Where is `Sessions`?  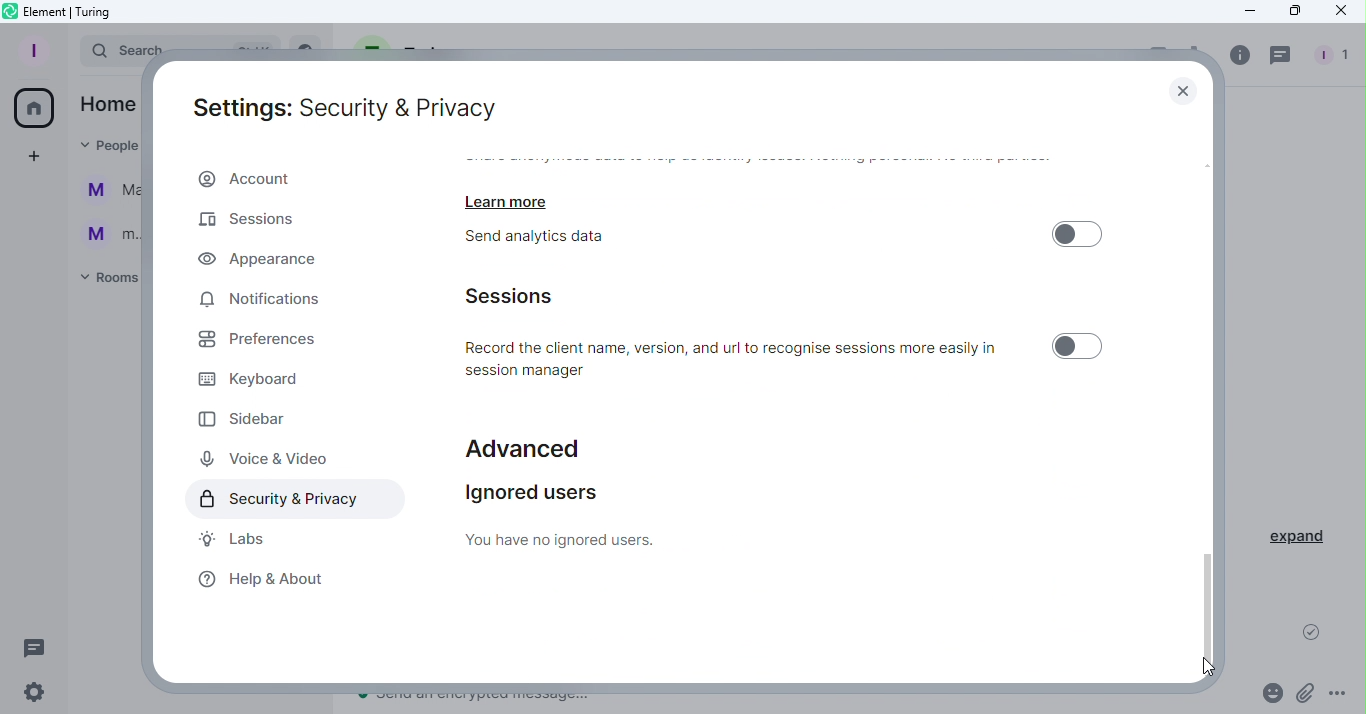 Sessions is located at coordinates (526, 295).